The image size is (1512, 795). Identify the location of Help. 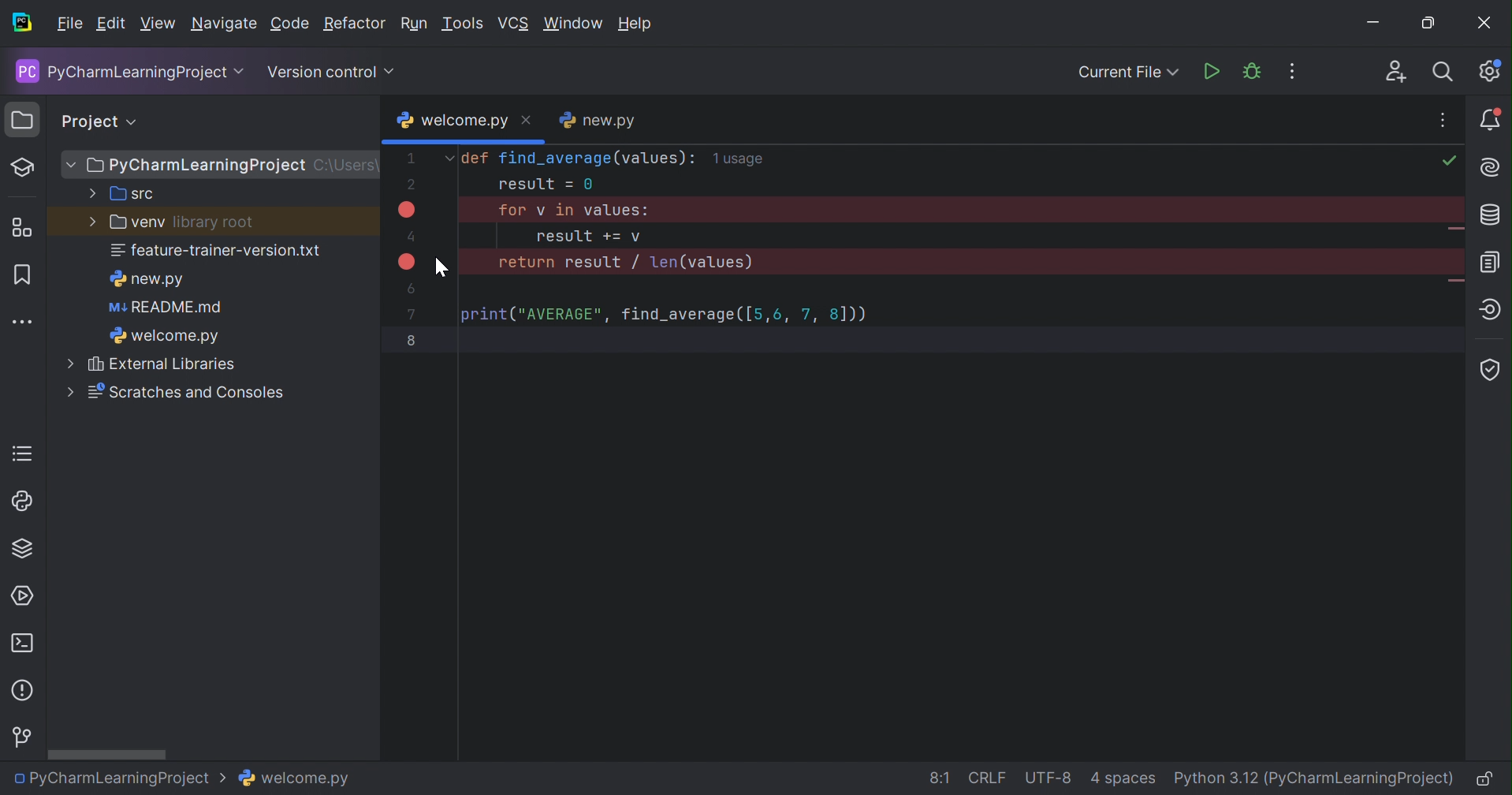
(637, 24).